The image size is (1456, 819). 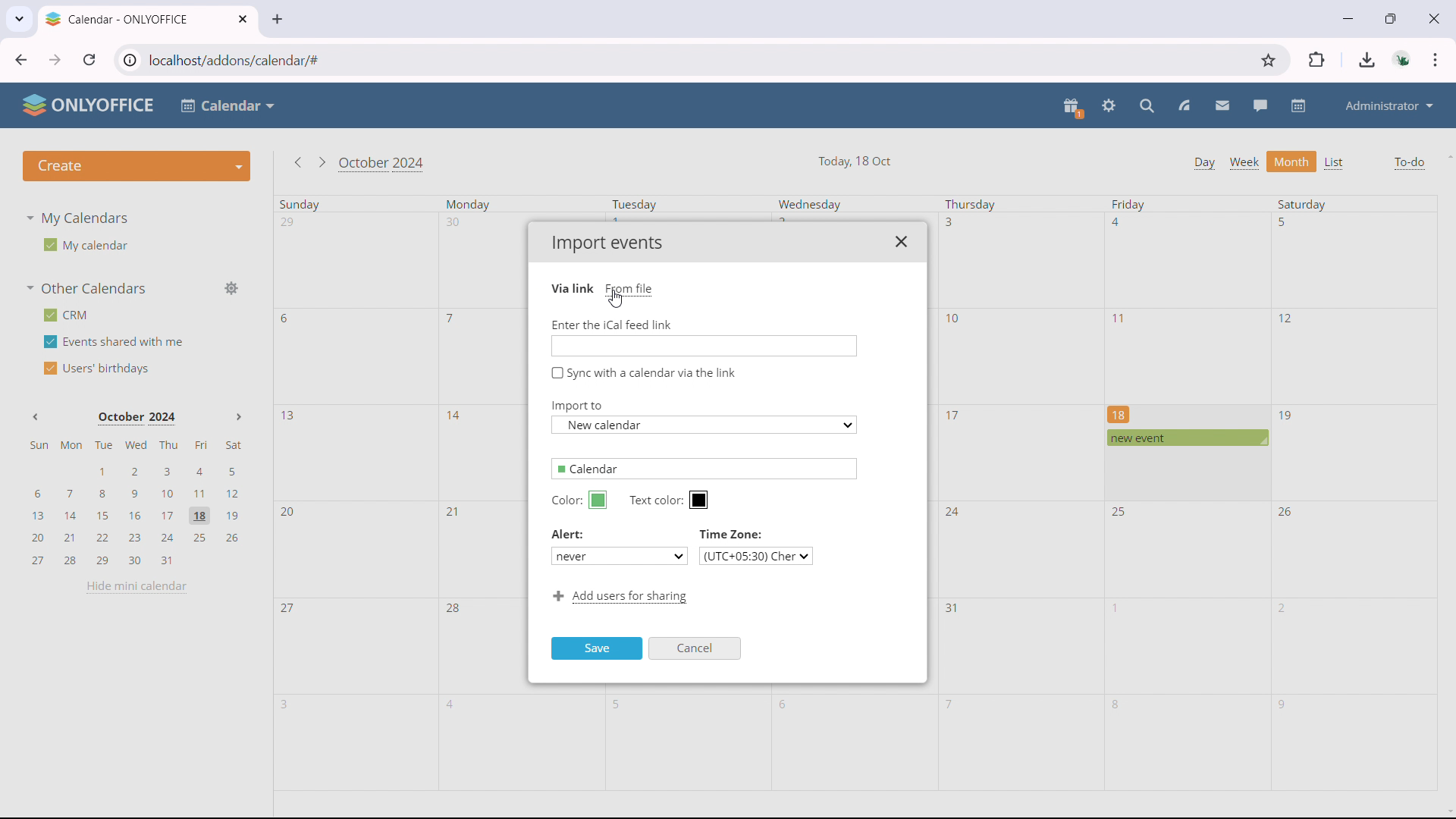 I want to click on Enter the iCal feed link, so click(x=613, y=325).